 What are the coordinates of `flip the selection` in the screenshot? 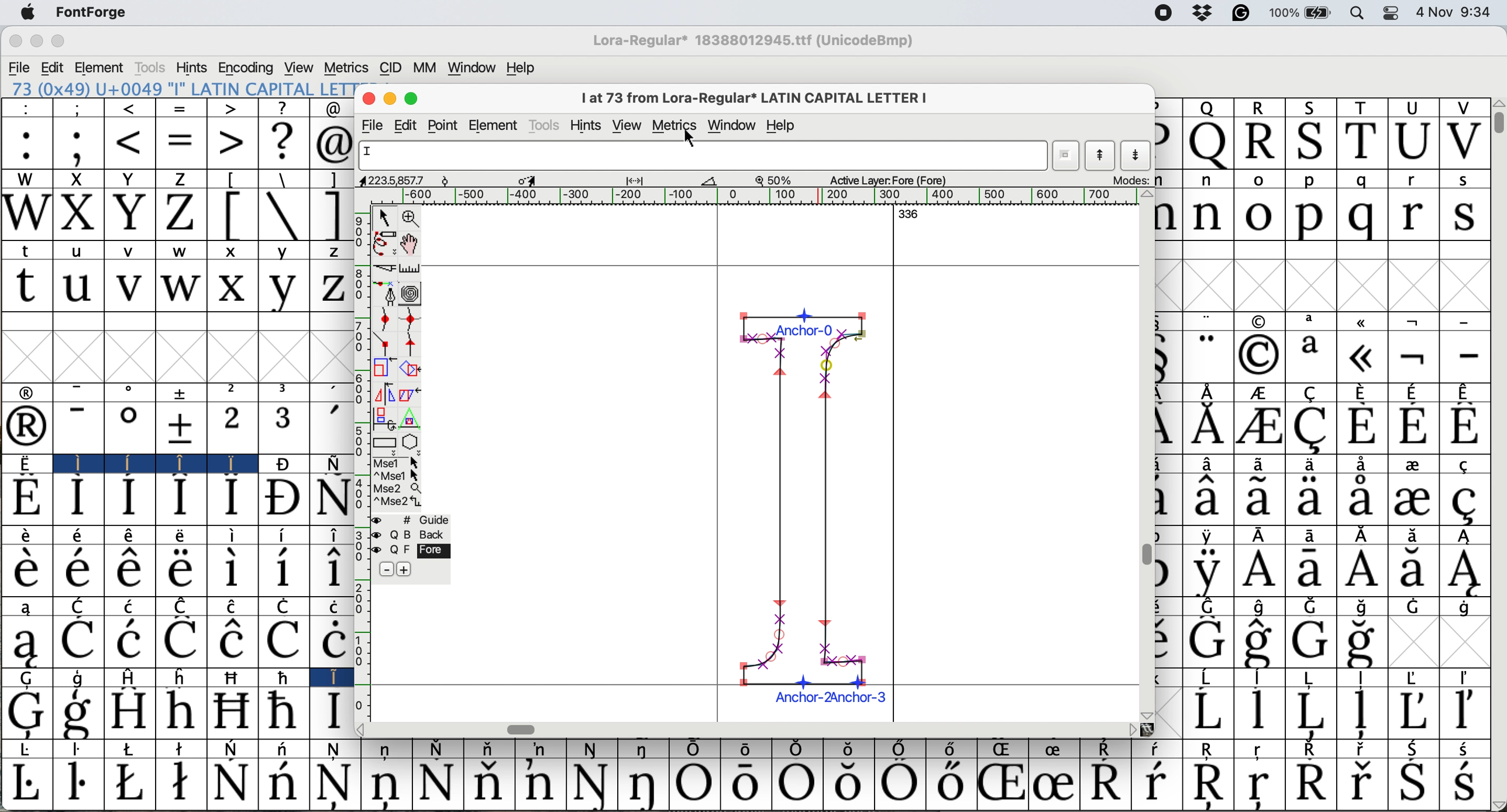 It's located at (383, 393).